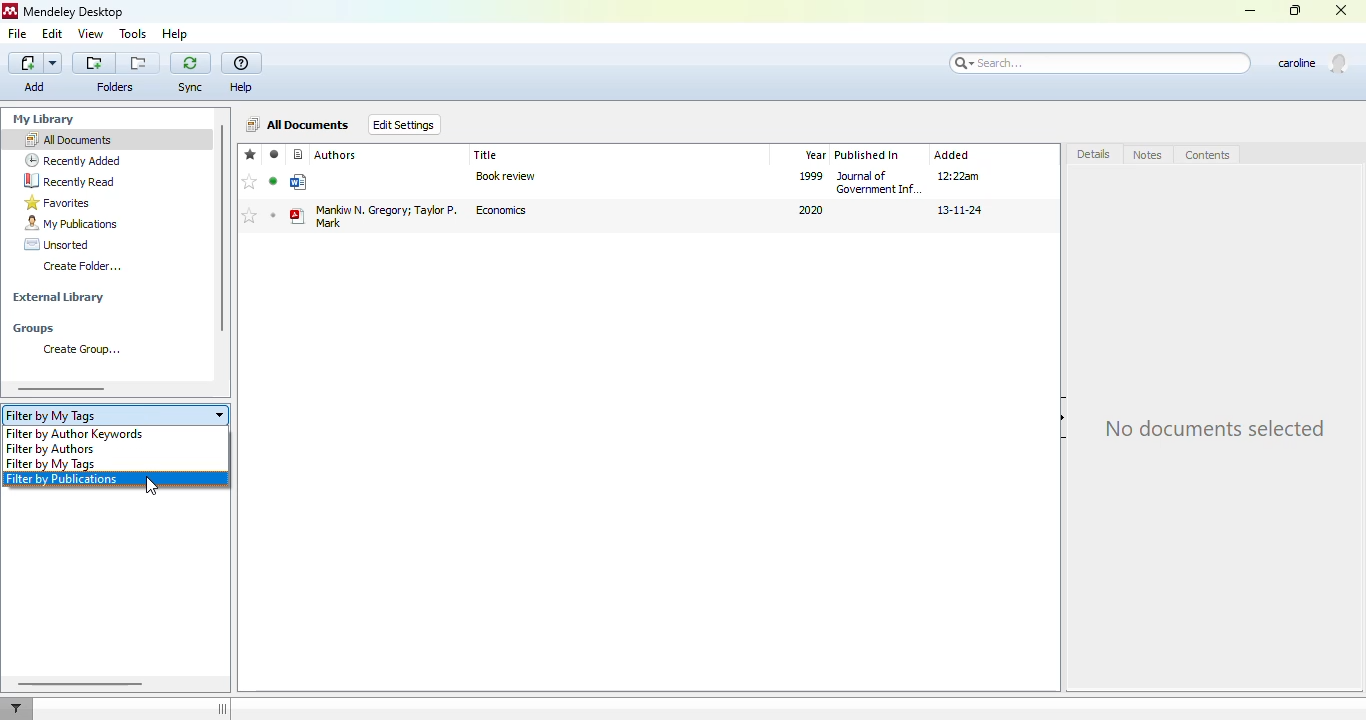 The image size is (1366, 720). Describe the element at coordinates (176, 34) in the screenshot. I see `help` at that location.